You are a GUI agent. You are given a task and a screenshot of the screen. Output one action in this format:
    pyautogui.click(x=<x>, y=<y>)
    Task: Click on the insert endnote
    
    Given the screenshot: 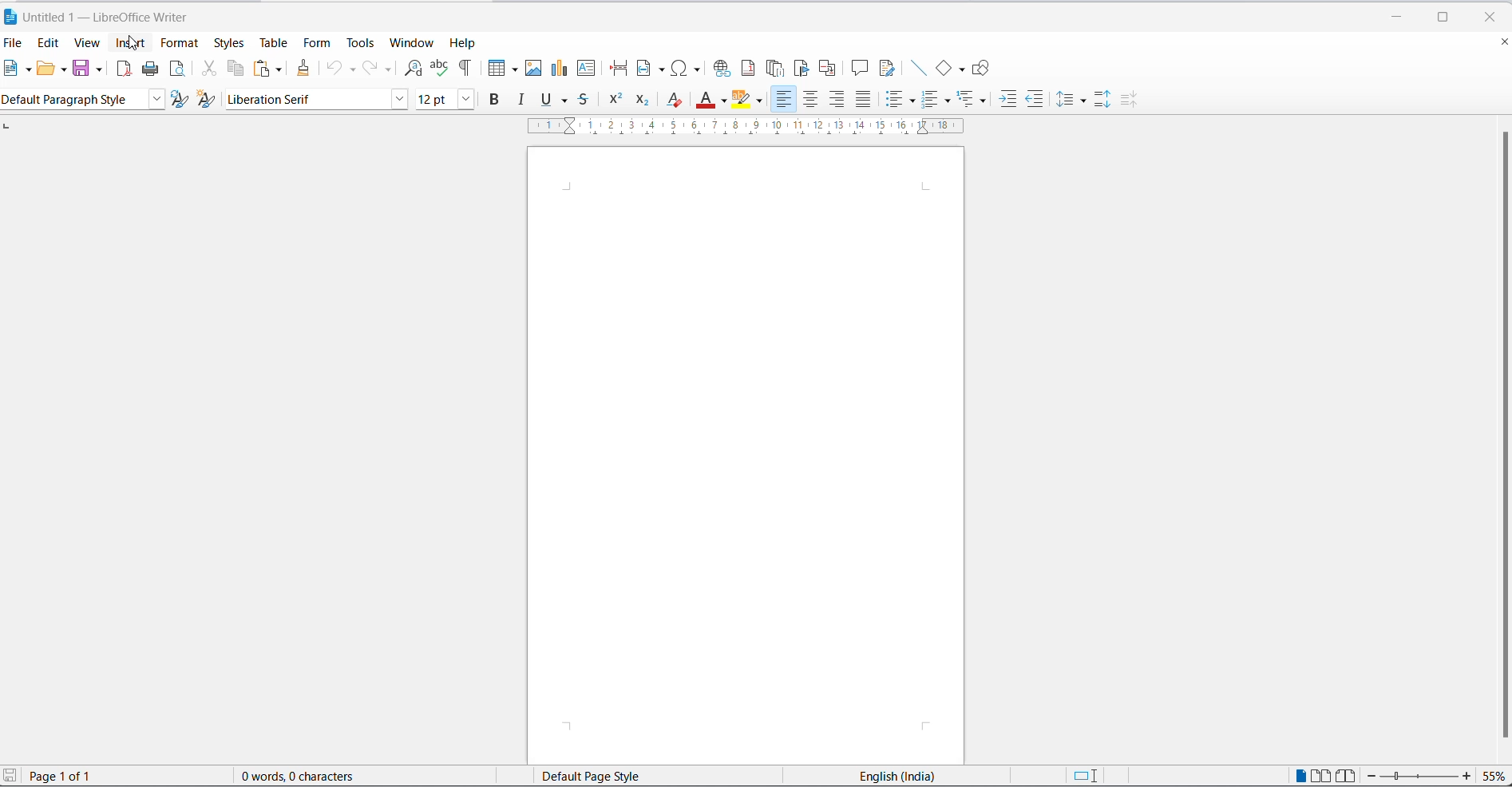 What is the action you would take?
    pyautogui.click(x=774, y=69)
    